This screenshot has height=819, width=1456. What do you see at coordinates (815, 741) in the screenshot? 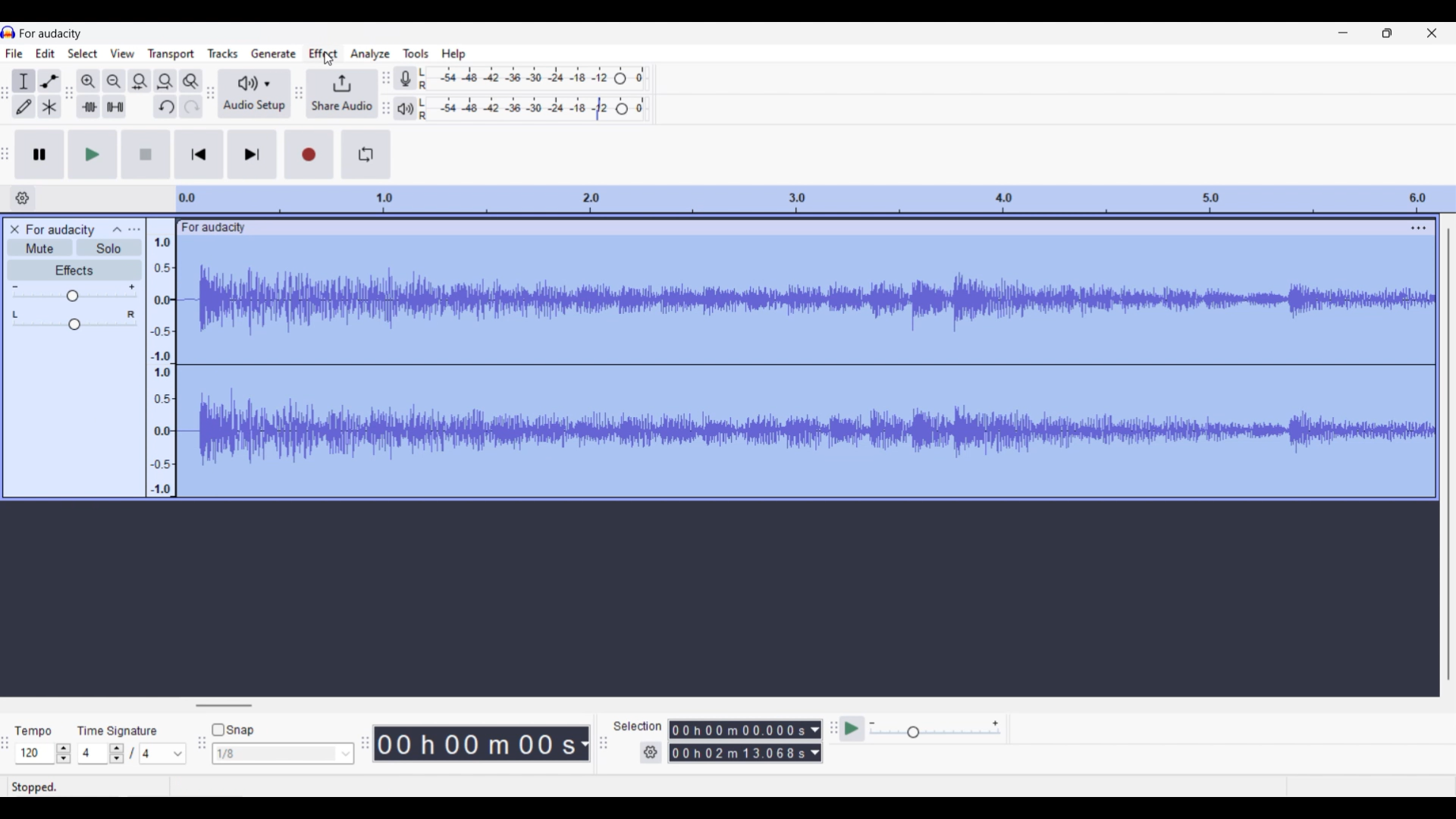
I see `Duration measurement` at bounding box center [815, 741].